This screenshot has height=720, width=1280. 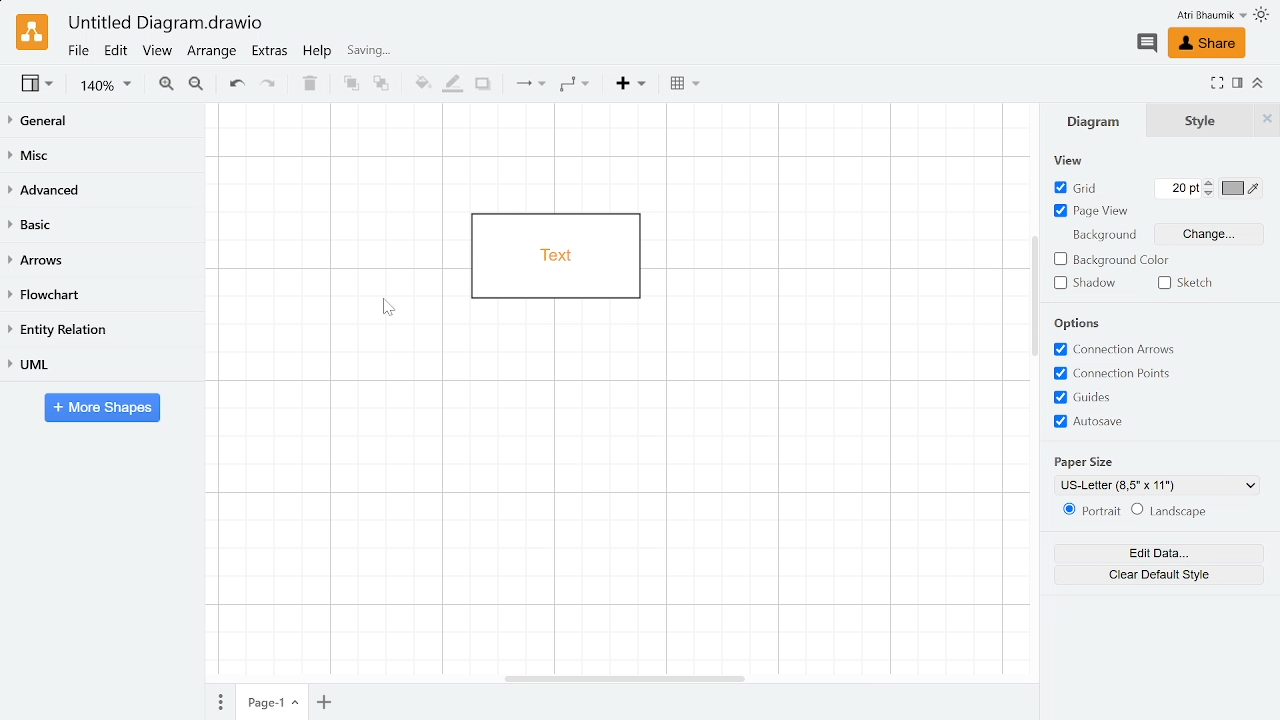 I want to click on More shapes, so click(x=102, y=409).